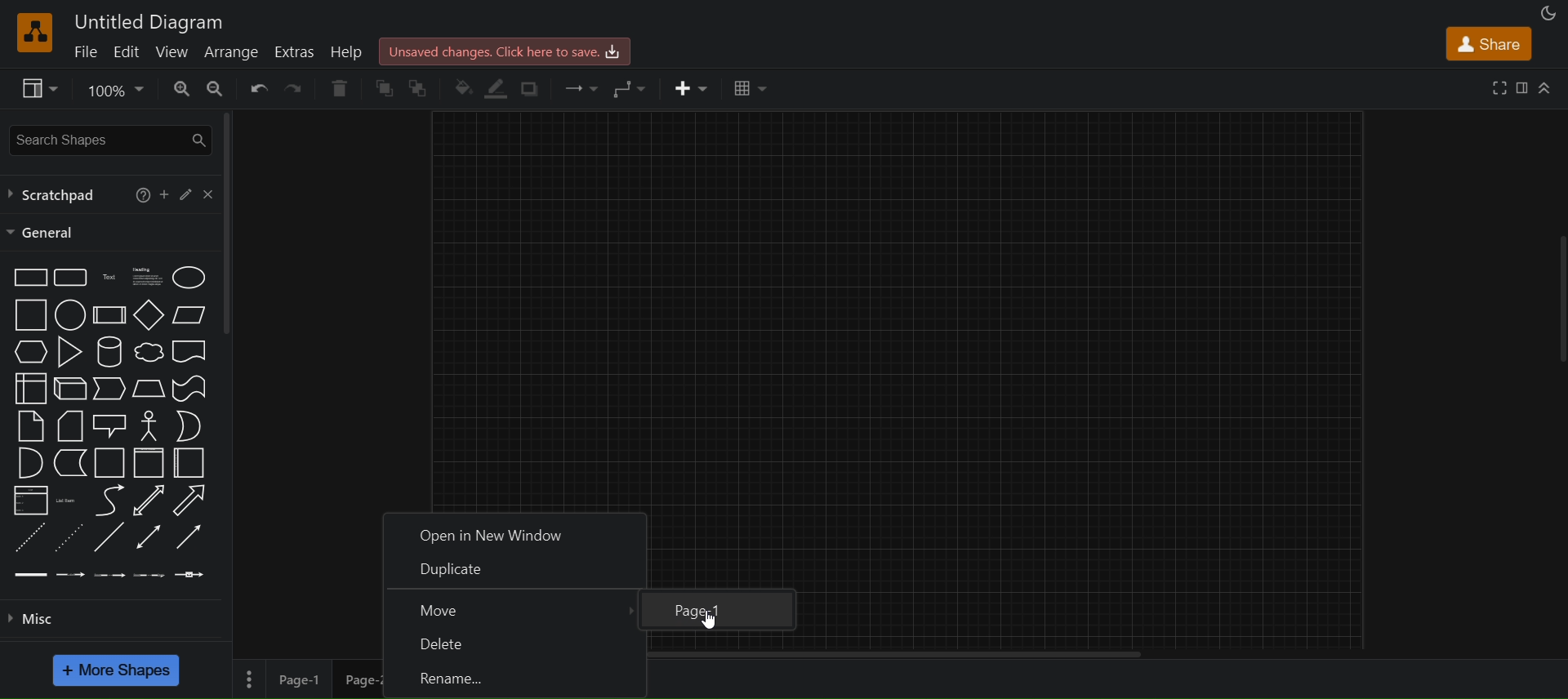 The height and width of the screenshot is (699, 1568). What do you see at coordinates (107, 537) in the screenshot?
I see `line` at bounding box center [107, 537].